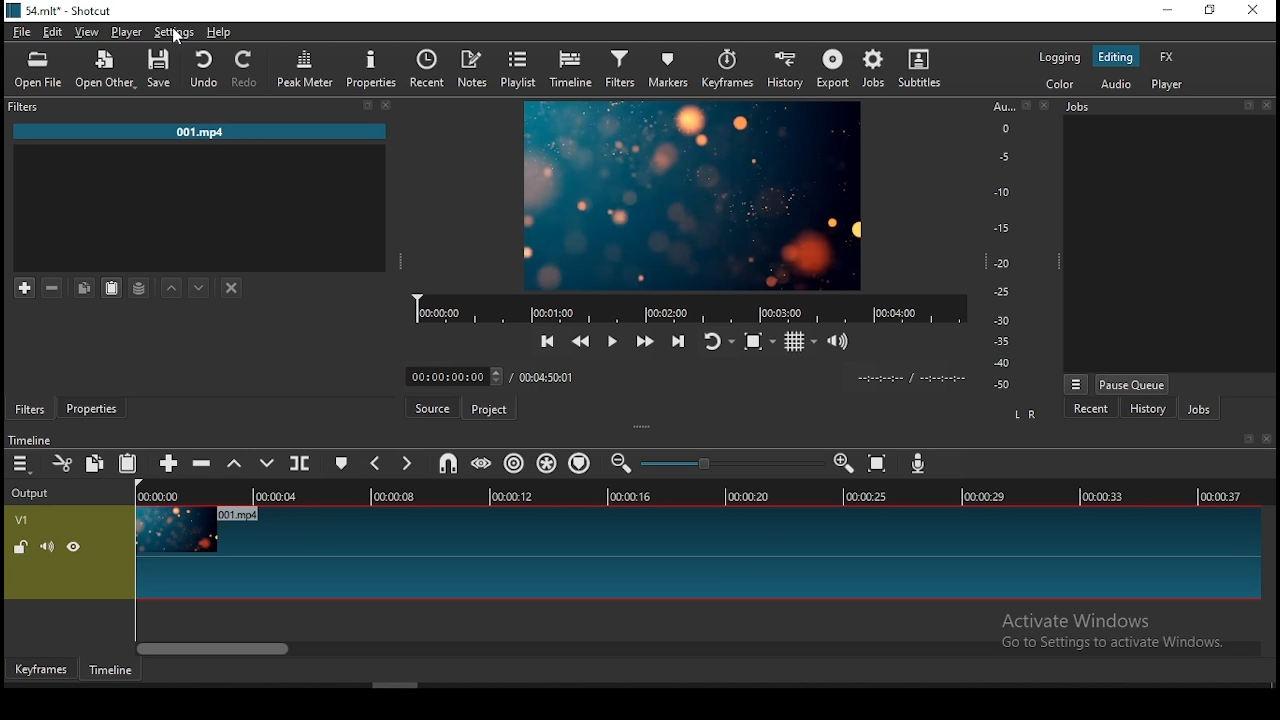 The height and width of the screenshot is (720, 1280). I want to click on undo, so click(207, 73).